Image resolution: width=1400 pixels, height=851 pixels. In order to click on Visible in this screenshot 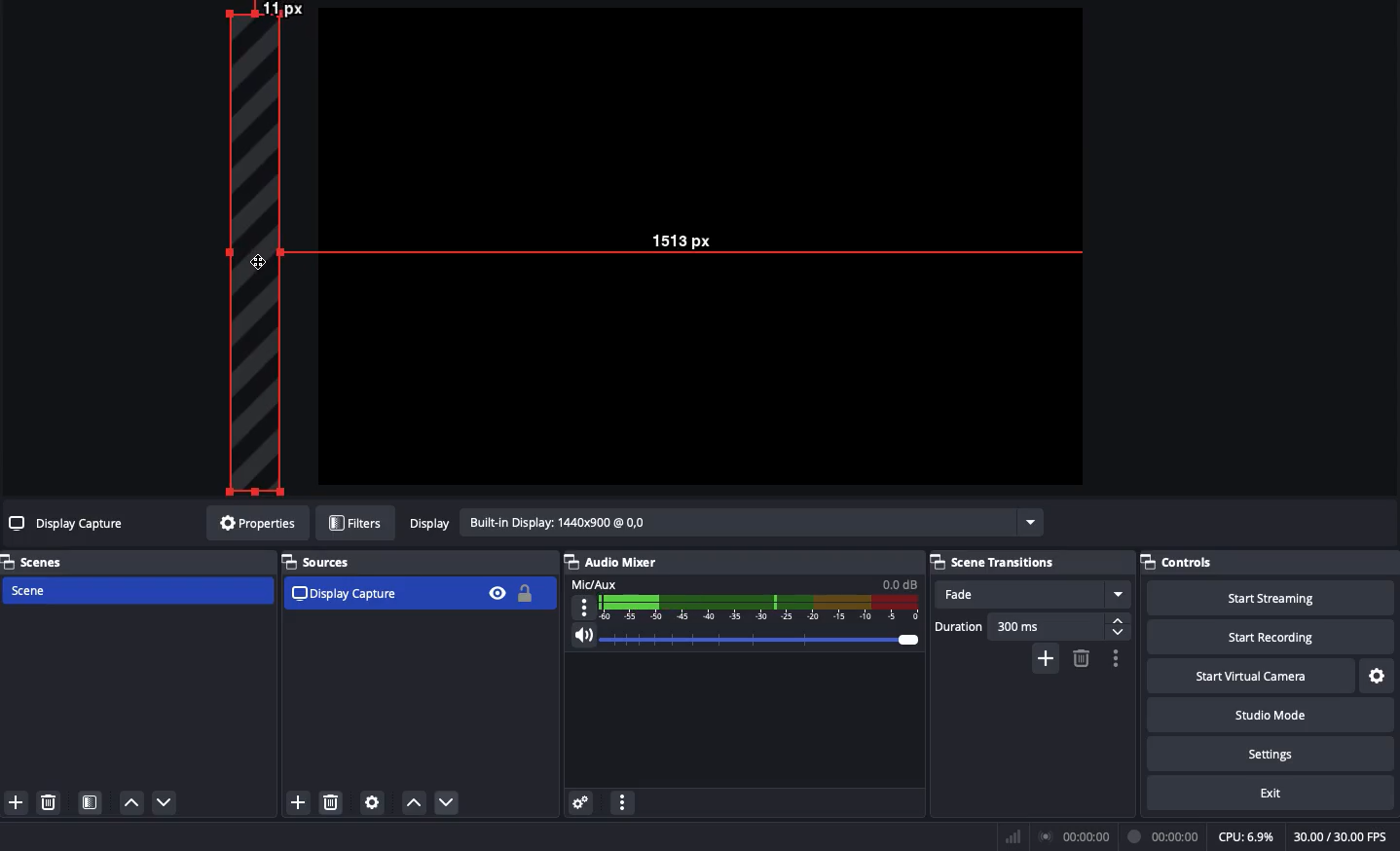, I will do `click(497, 592)`.